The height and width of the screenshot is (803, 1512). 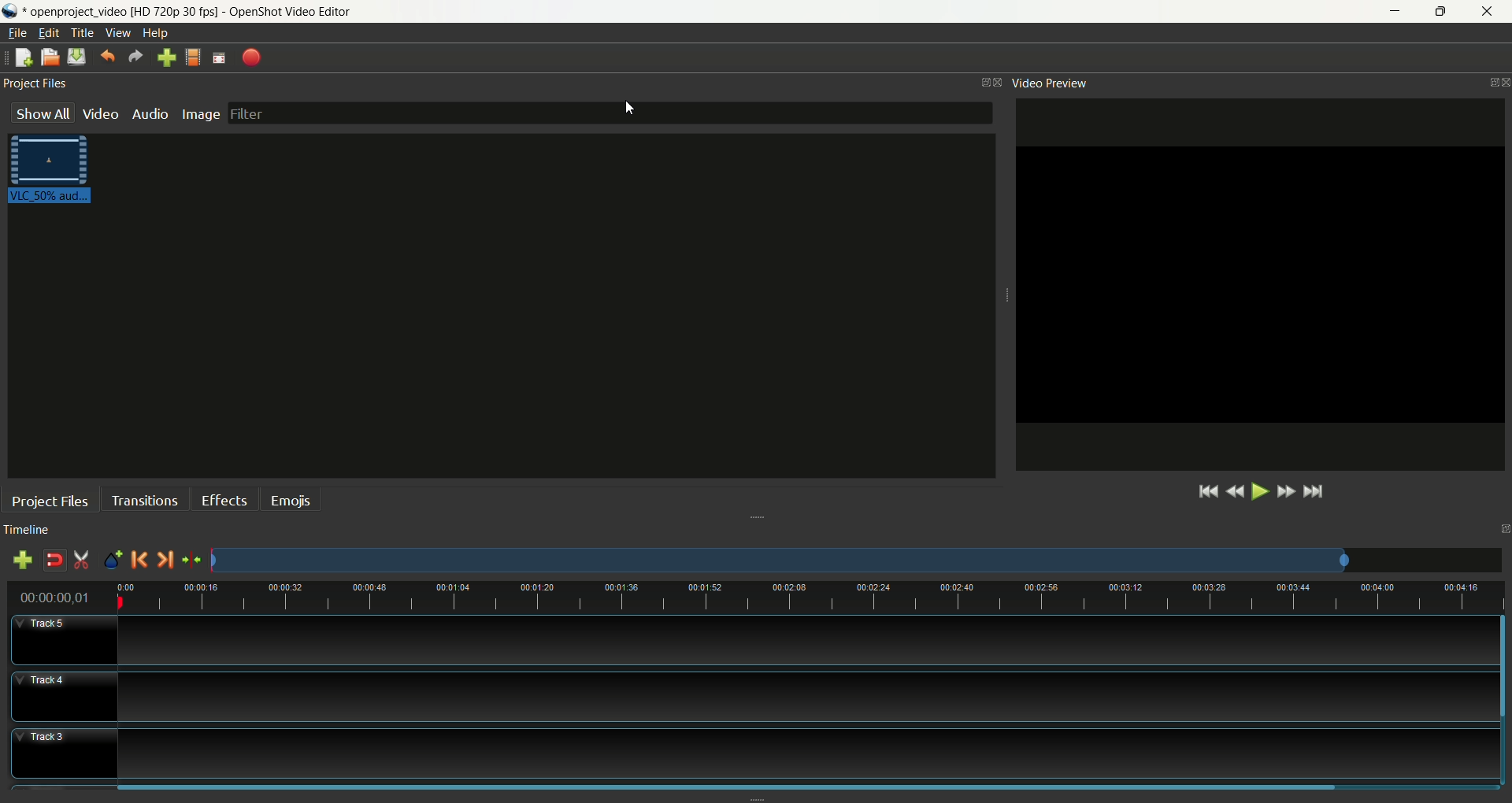 What do you see at coordinates (1443, 13) in the screenshot?
I see `maximize` at bounding box center [1443, 13].